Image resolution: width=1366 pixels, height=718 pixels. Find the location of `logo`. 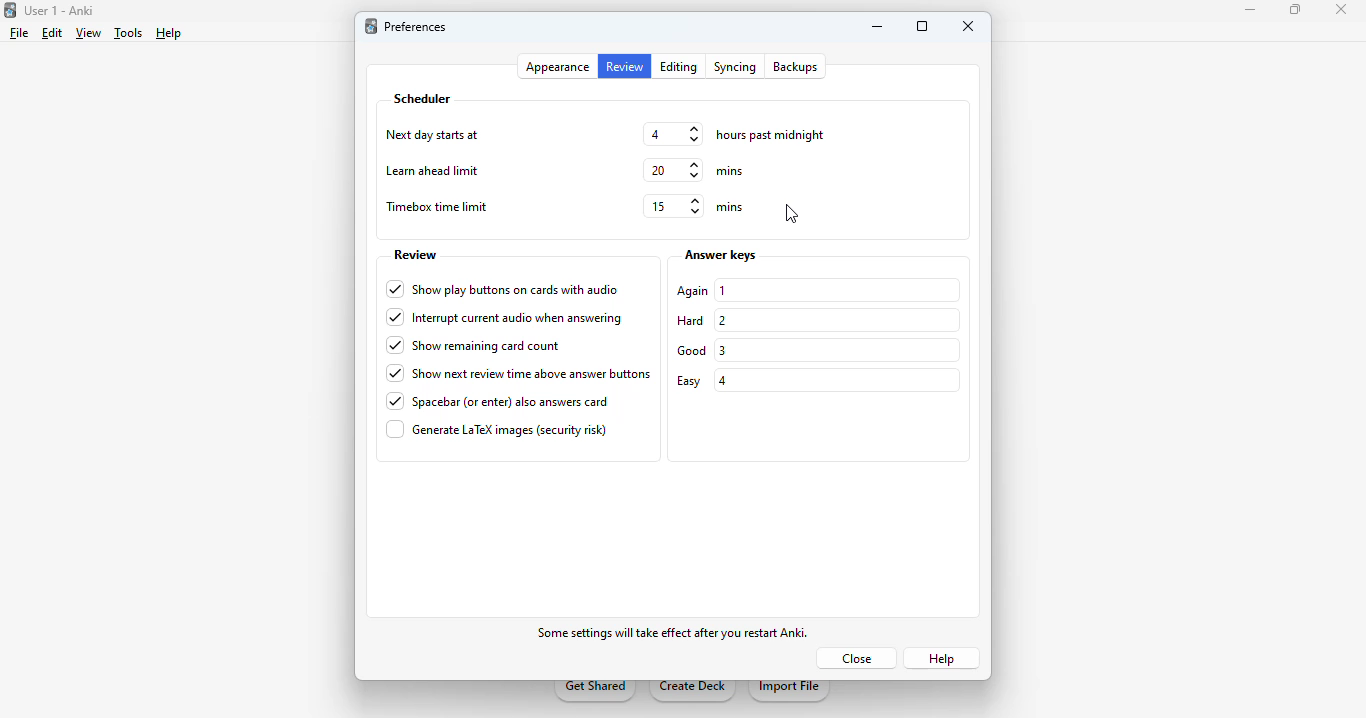

logo is located at coordinates (371, 26).